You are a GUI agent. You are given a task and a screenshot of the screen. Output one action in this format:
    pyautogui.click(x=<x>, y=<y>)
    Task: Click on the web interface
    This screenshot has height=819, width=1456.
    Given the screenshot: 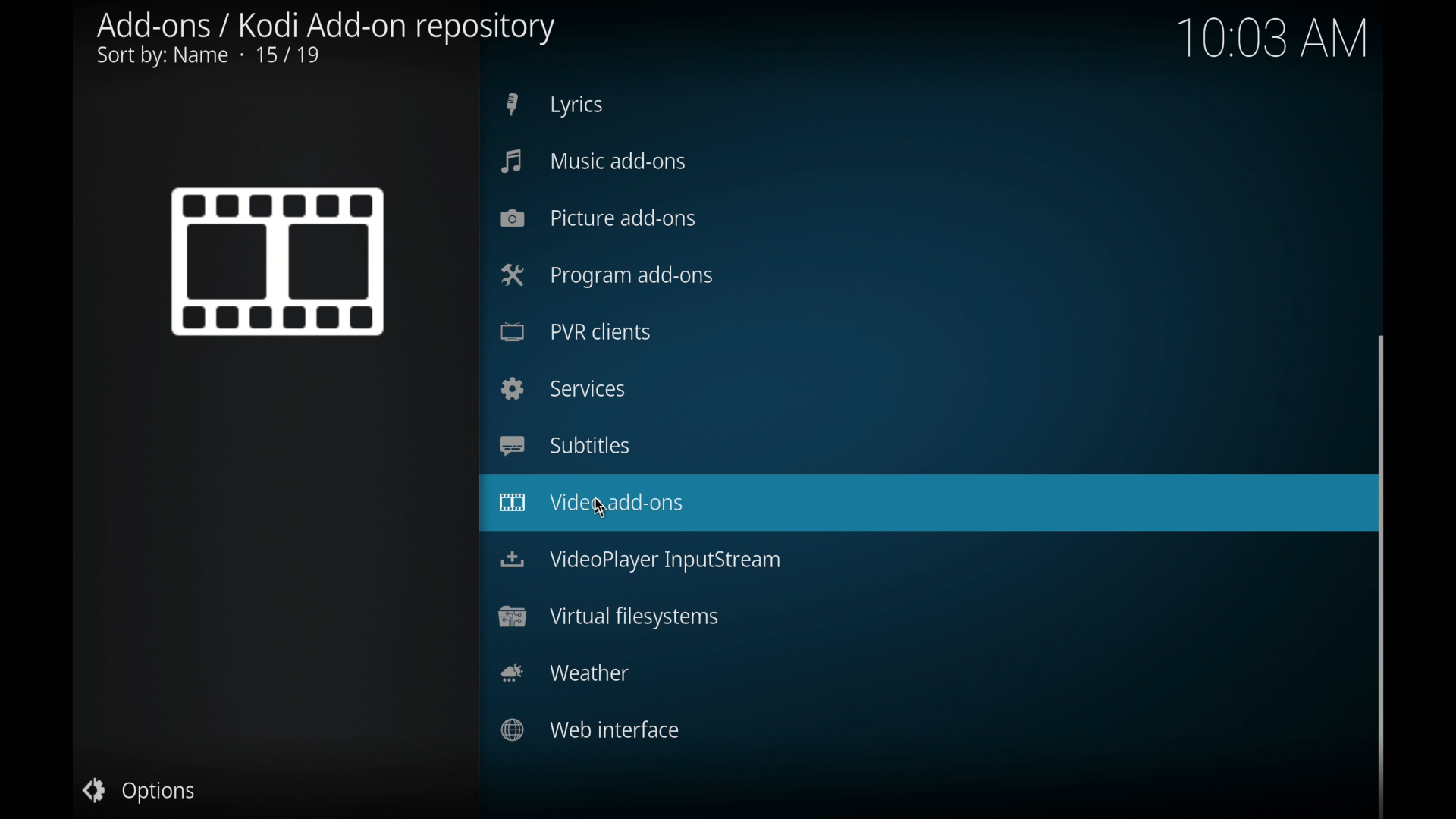 What is the action you would take?
    pyautogui.click(x=592, y=730)
    